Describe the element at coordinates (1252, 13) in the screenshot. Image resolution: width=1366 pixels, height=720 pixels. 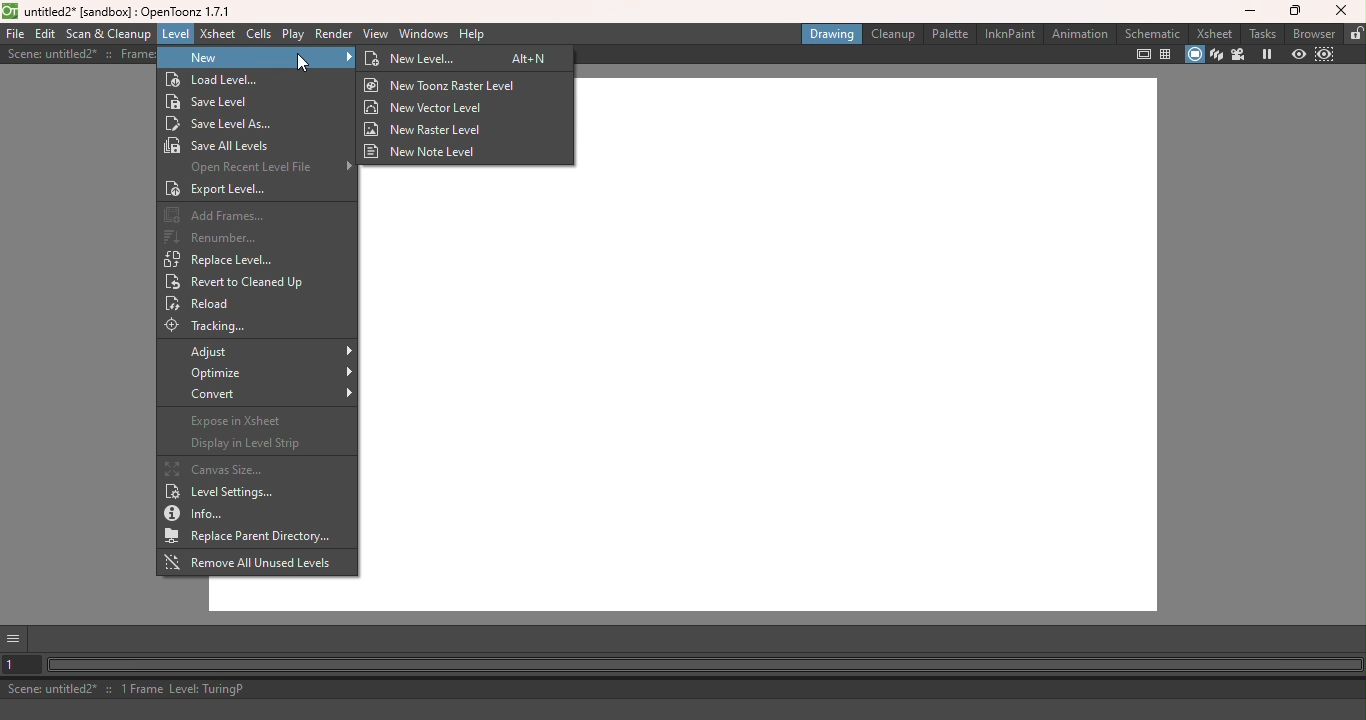
I see `Minimize` at that location.